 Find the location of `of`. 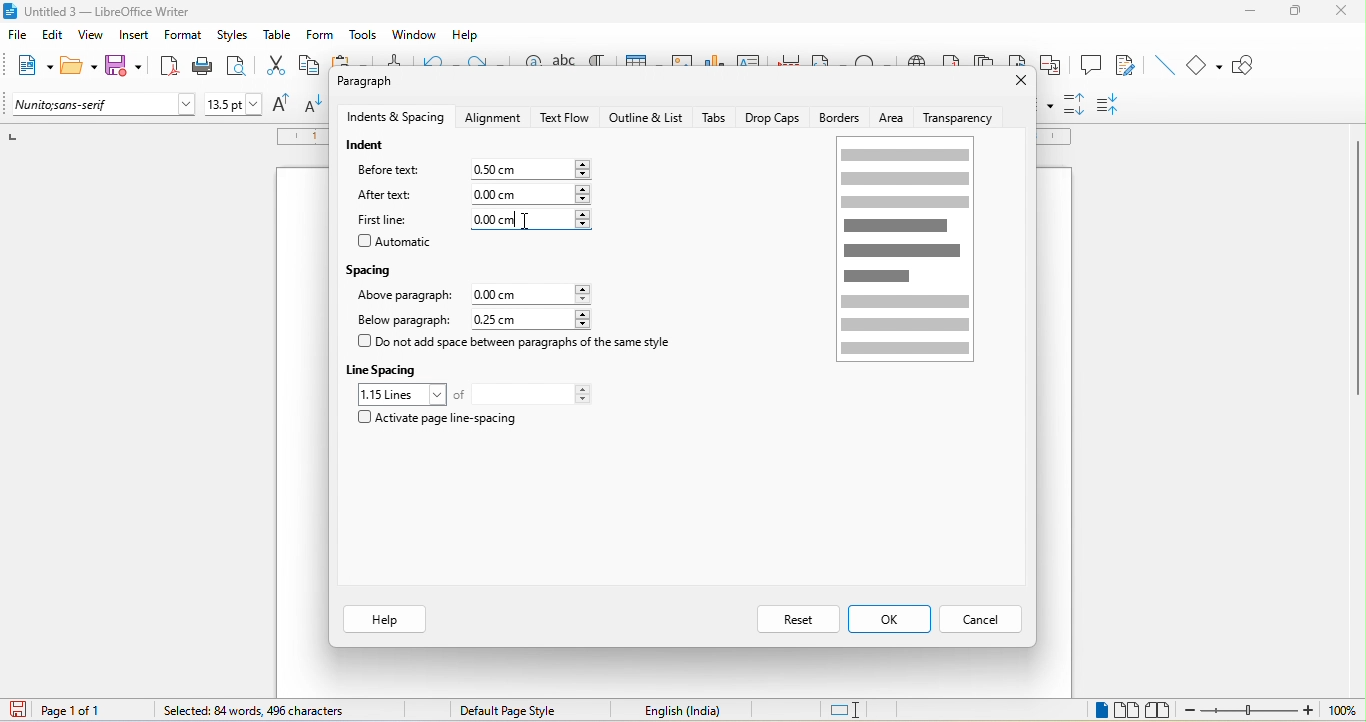

of is located at coordinates (459, 394).